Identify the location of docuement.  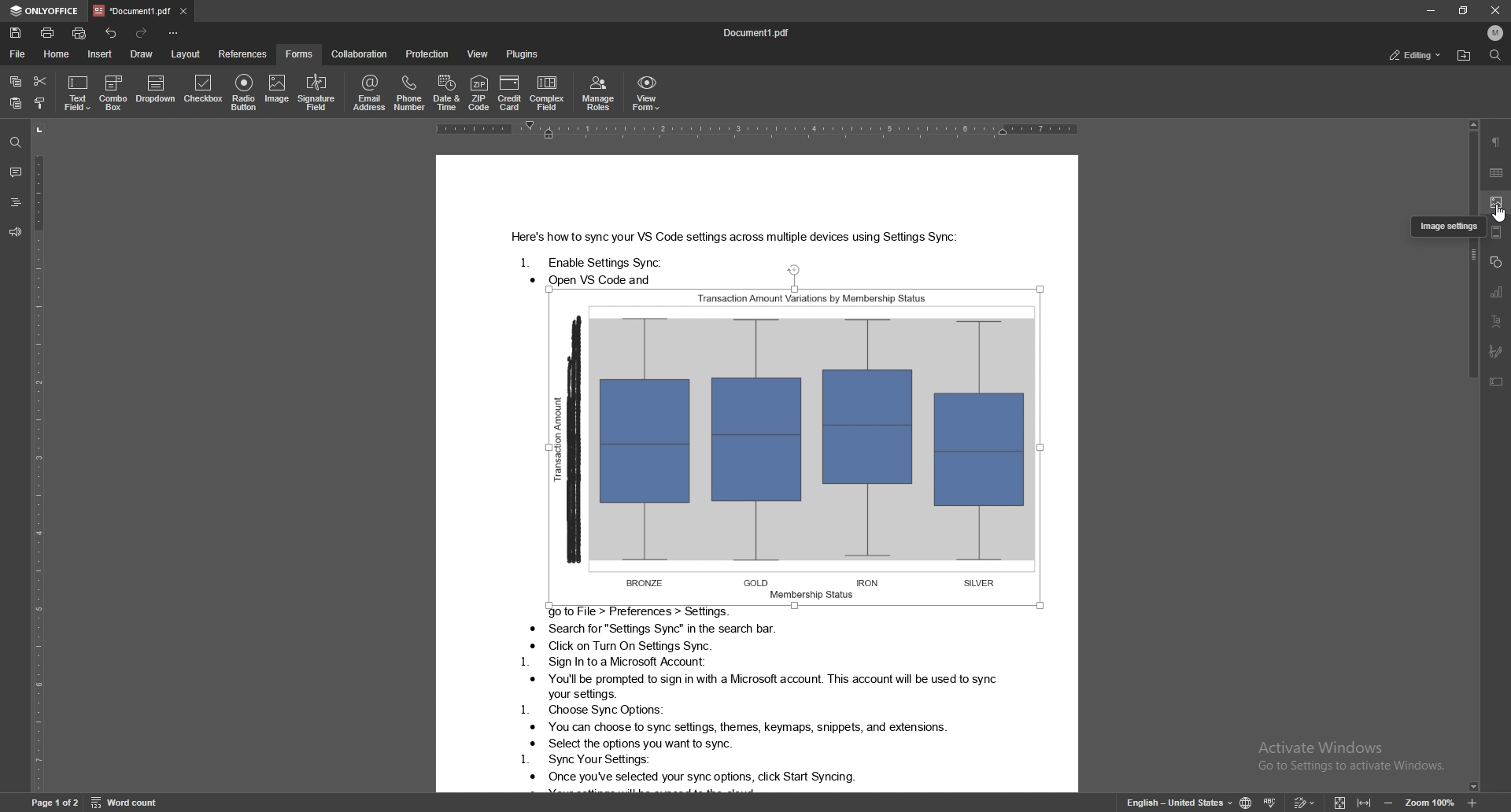
(765, 31).